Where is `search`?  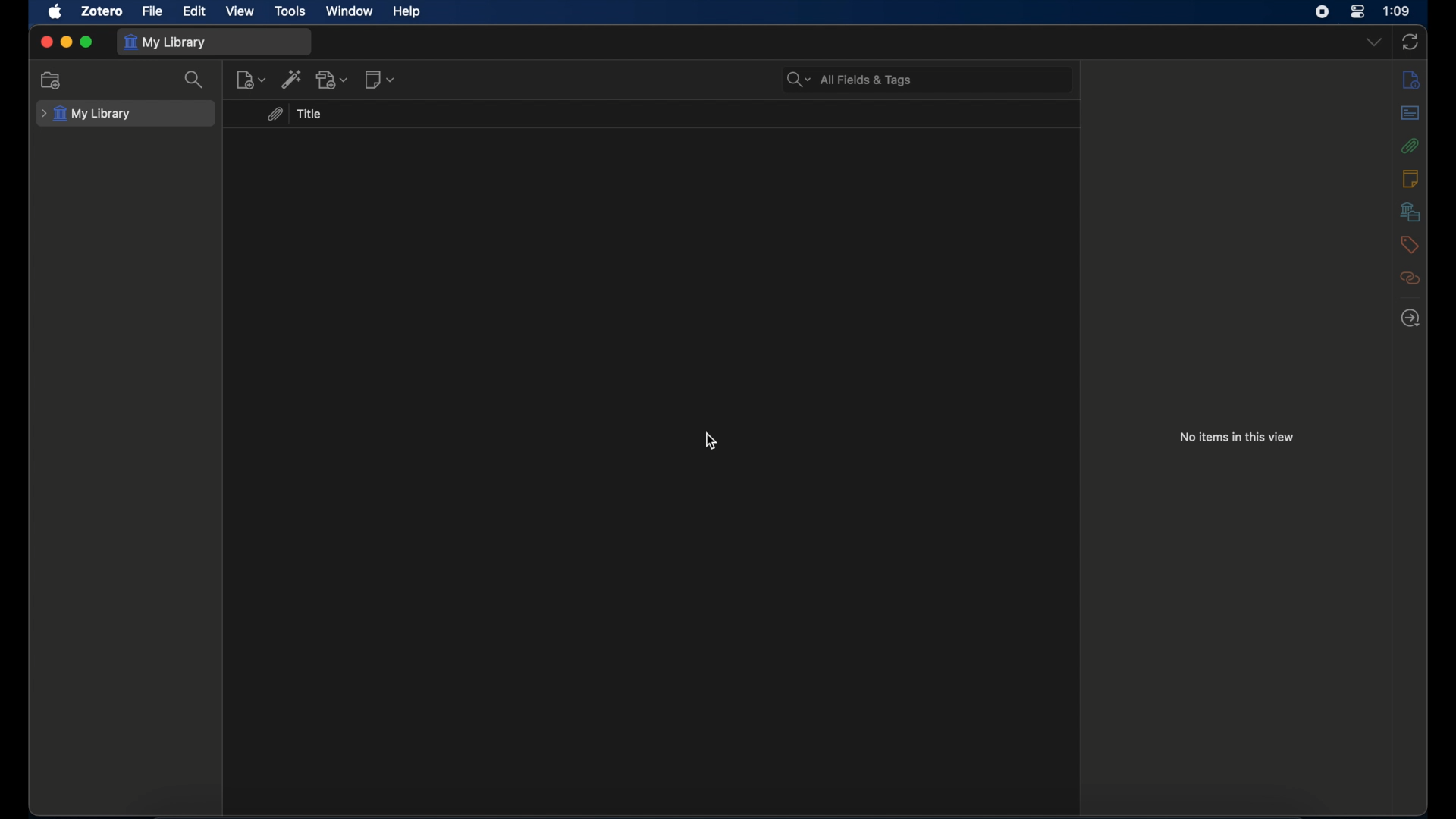 search is located at coordinates (194, 80).